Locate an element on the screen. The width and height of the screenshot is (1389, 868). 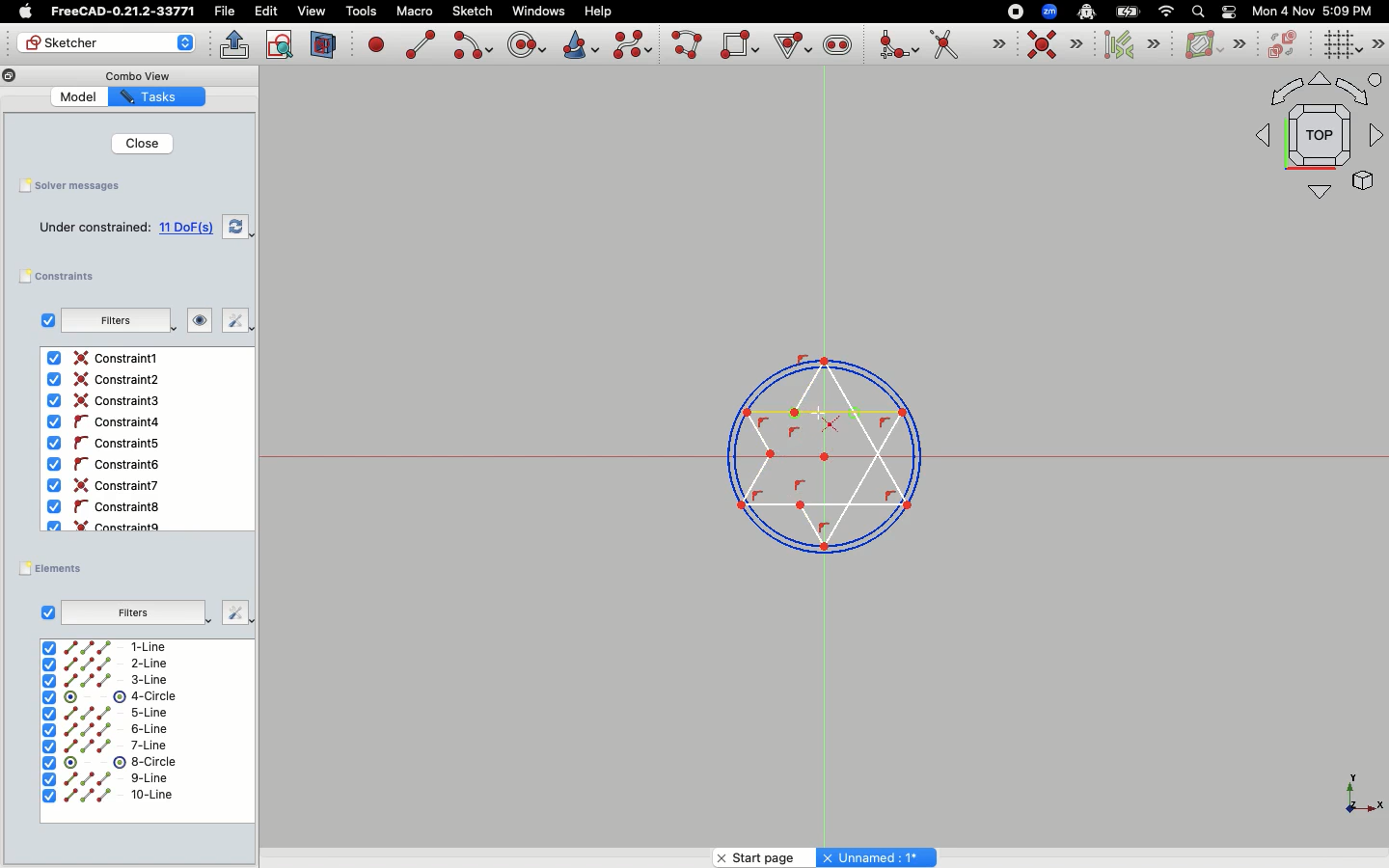
Leave sketch is located at coordinates (235, 44).